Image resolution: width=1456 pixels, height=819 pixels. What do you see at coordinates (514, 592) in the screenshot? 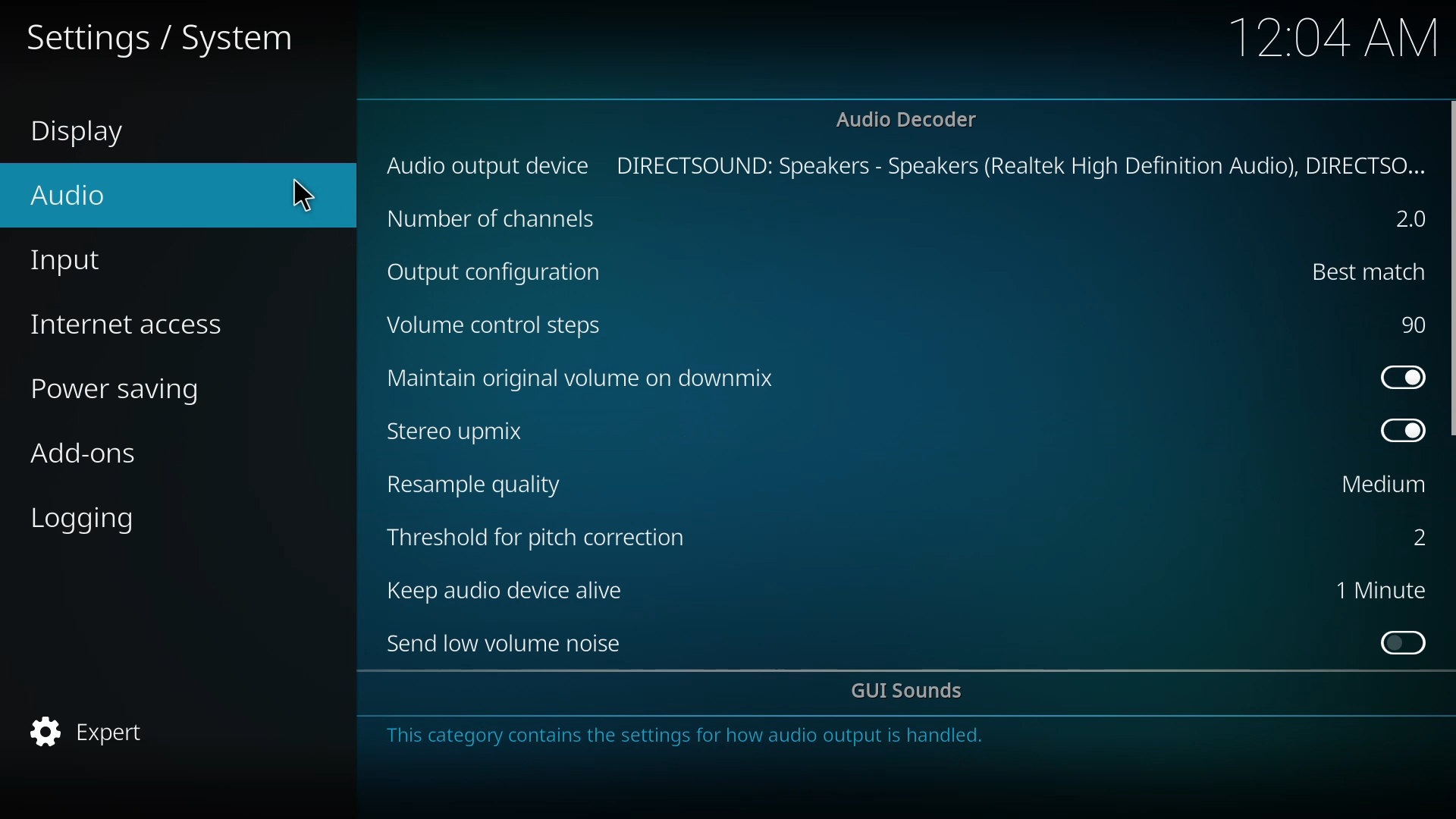
I see `keep audio device alive` at bounding box center [514, 592].